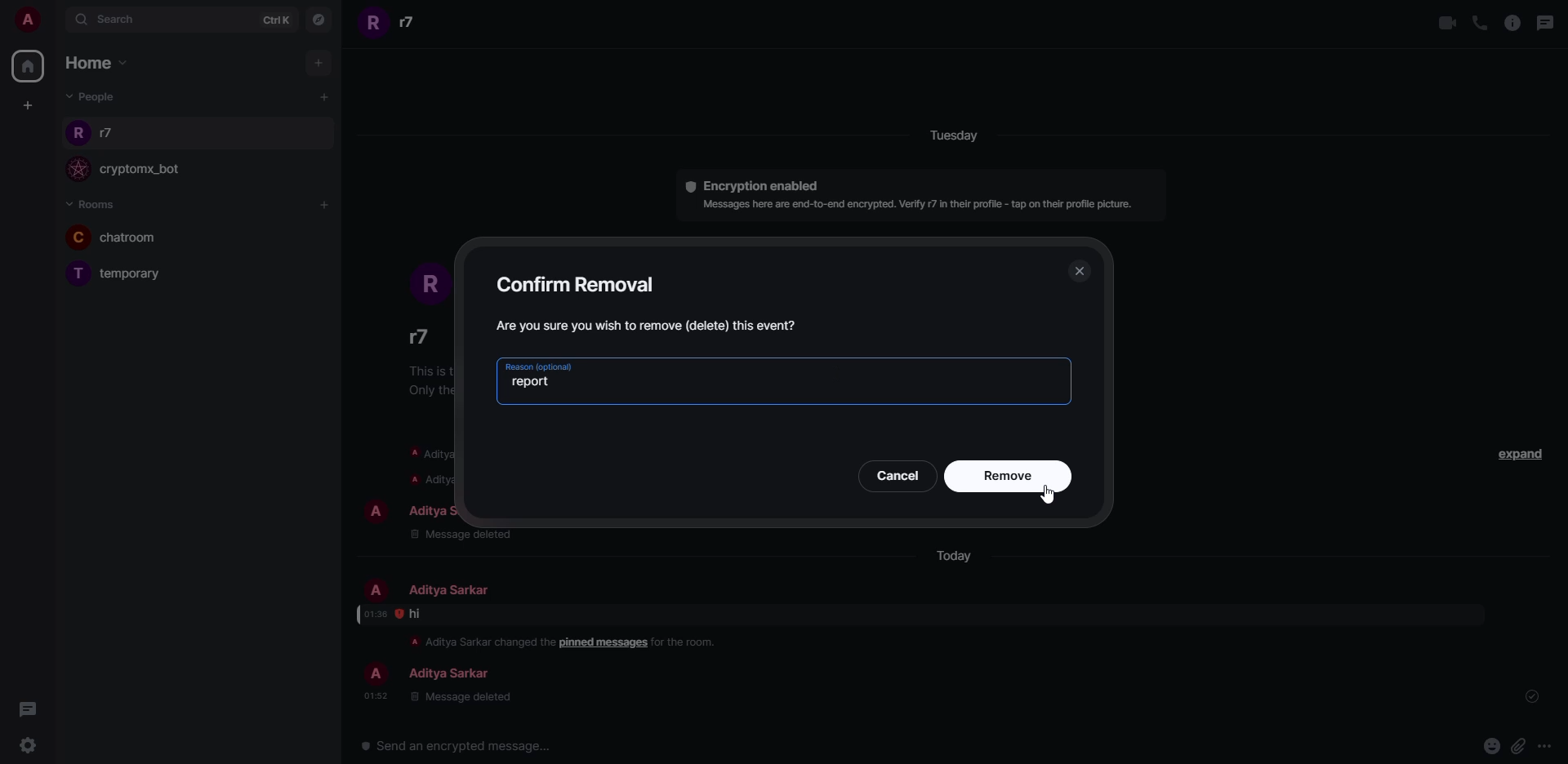  Describe the element at coordinates (1512, 23) in the screenshot. I see `info` at that location.